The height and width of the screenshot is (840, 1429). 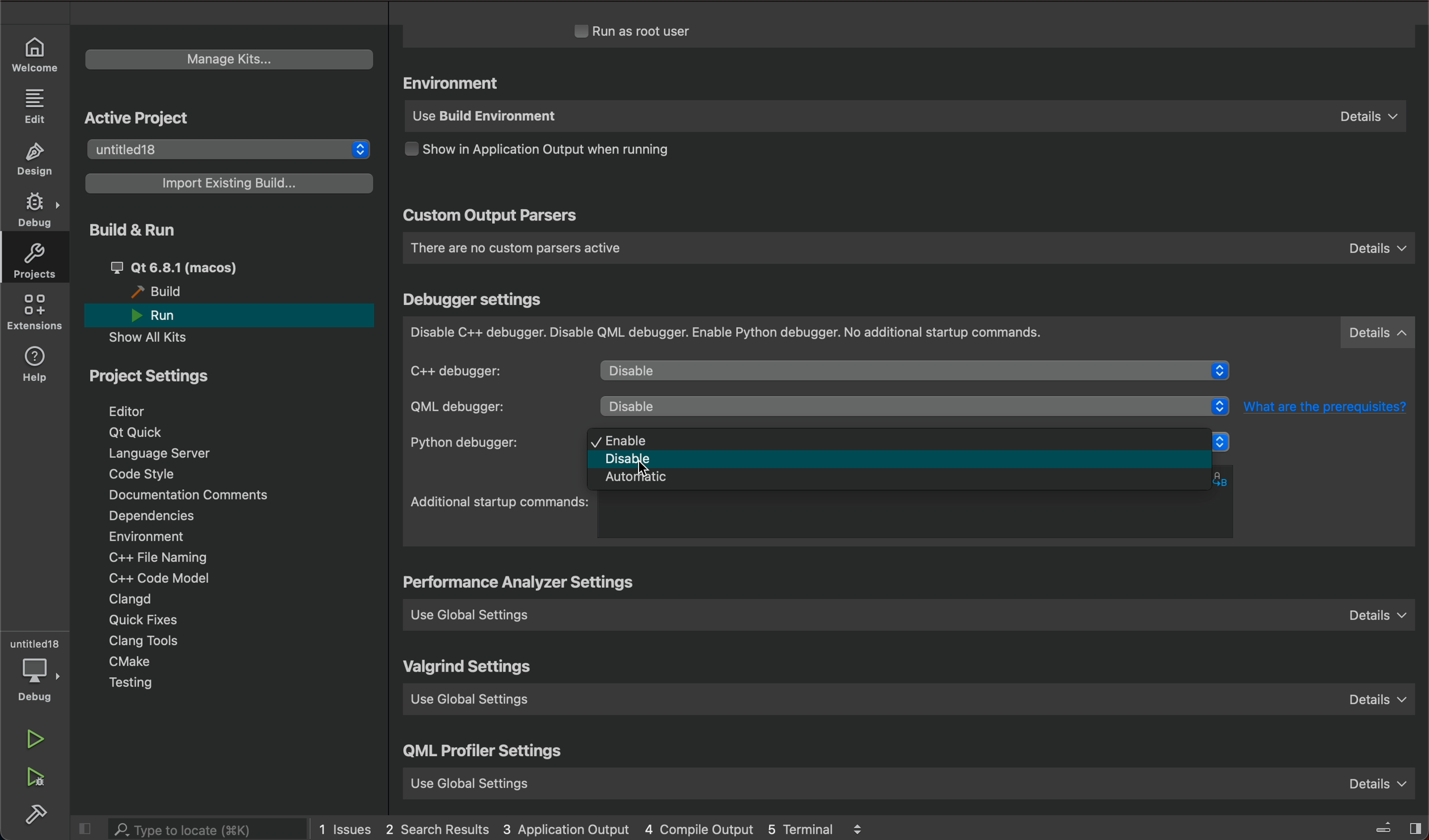 I want to click on build, so click(x=38, y=814).